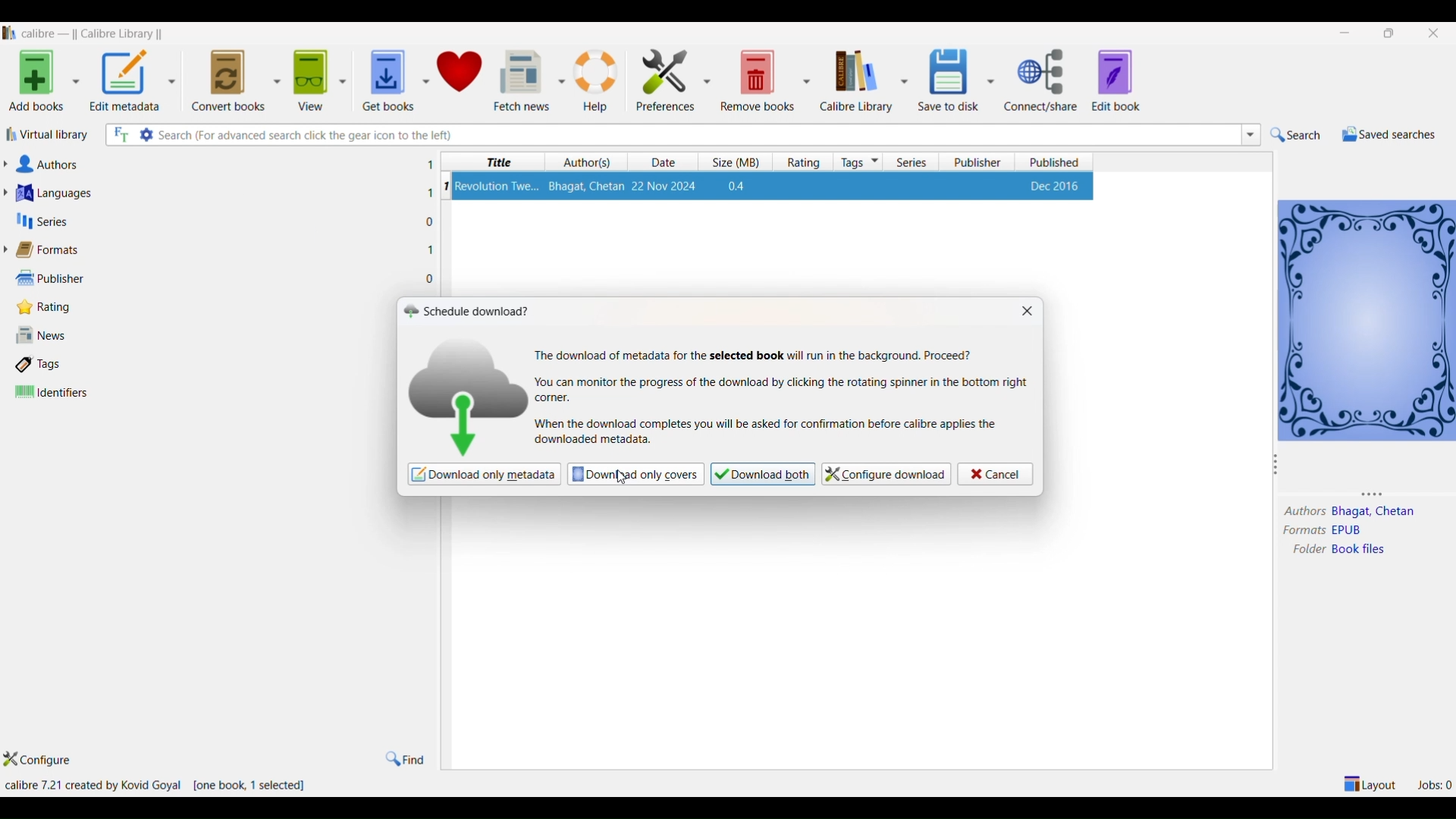 This screenshot has width=1456, height=819. What do you see at coordinates (522, 79) in the screenshot?
I see `fetch news` at bounding box center [522, 79].